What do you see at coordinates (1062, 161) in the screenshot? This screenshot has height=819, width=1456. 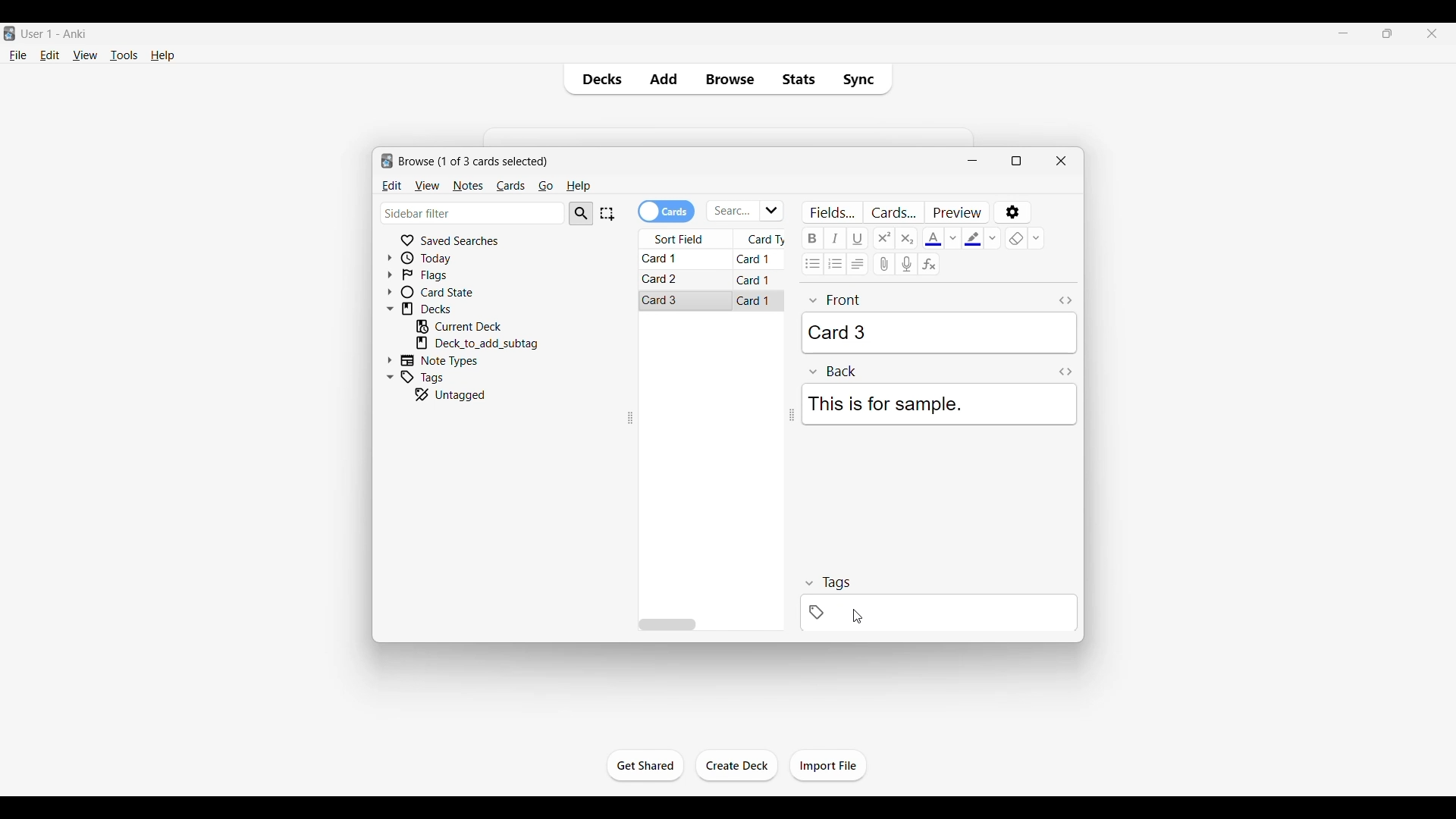 I see `Close window` at bounding box center [1062, 161].